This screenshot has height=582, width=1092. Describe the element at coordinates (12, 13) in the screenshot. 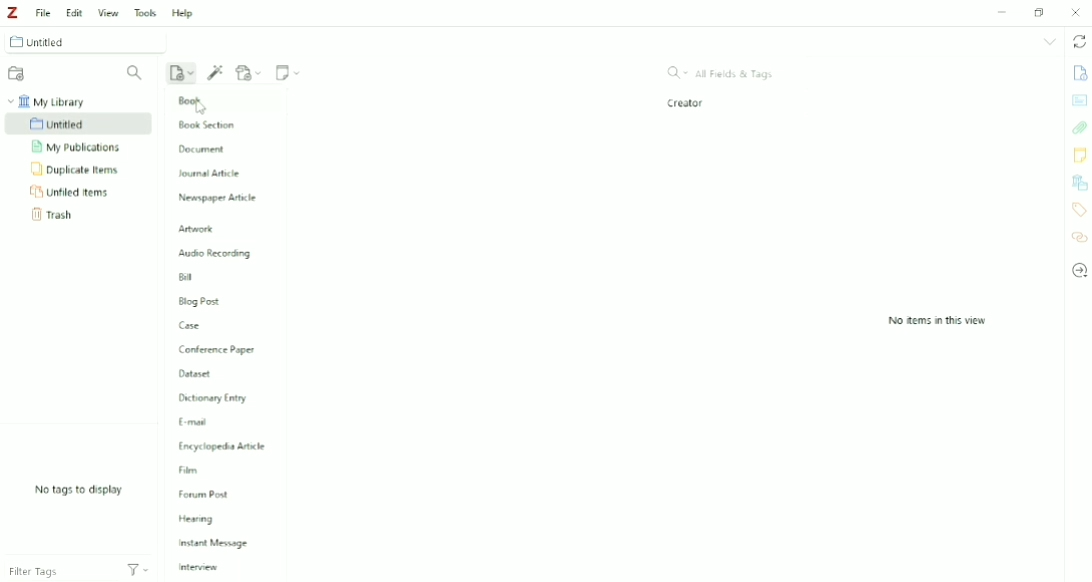

I see `Logo` at that location.